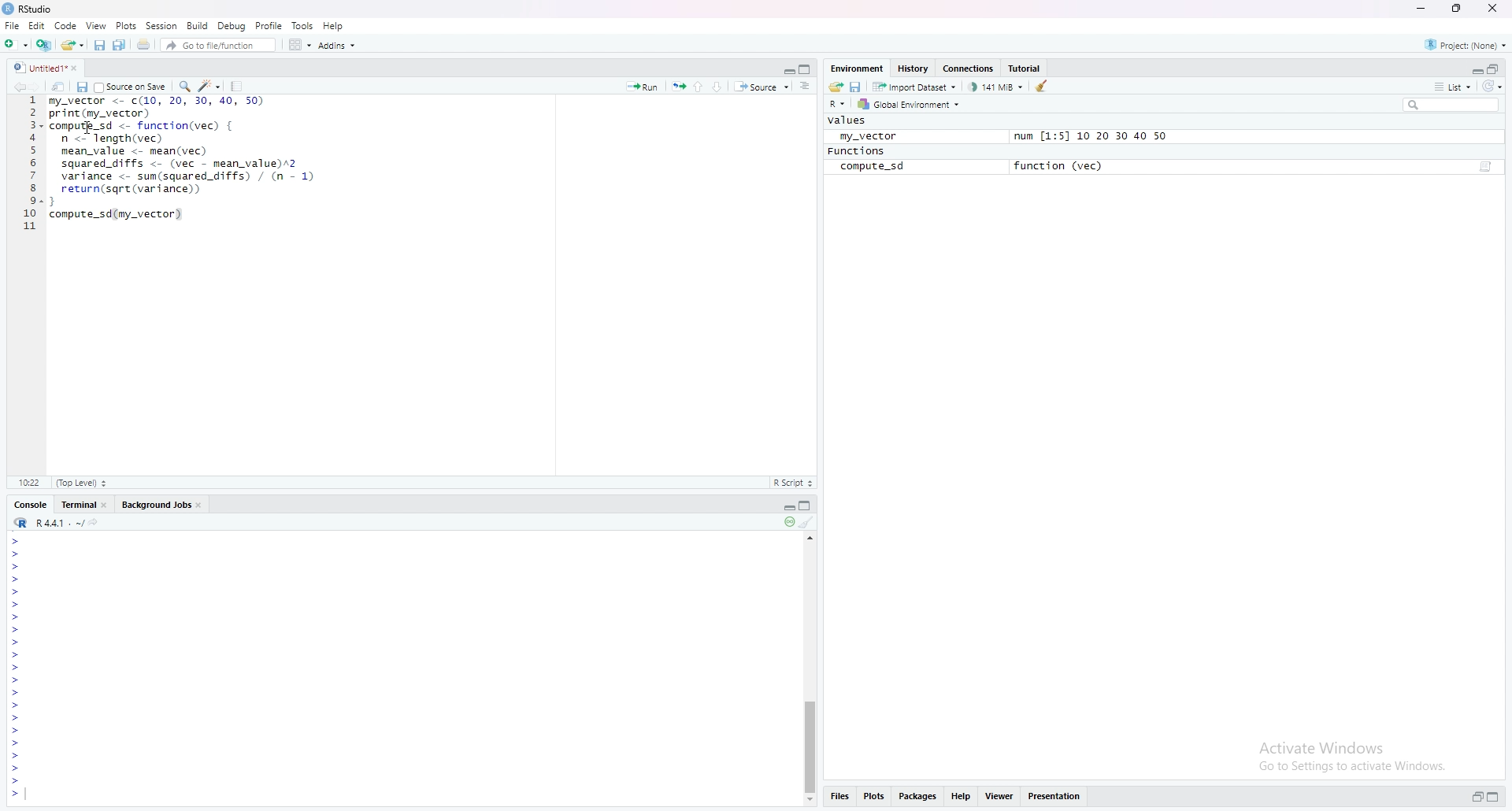 This screenshot has height=811, width=1512. I want to click on Prompt cursor, so click(17, 681).